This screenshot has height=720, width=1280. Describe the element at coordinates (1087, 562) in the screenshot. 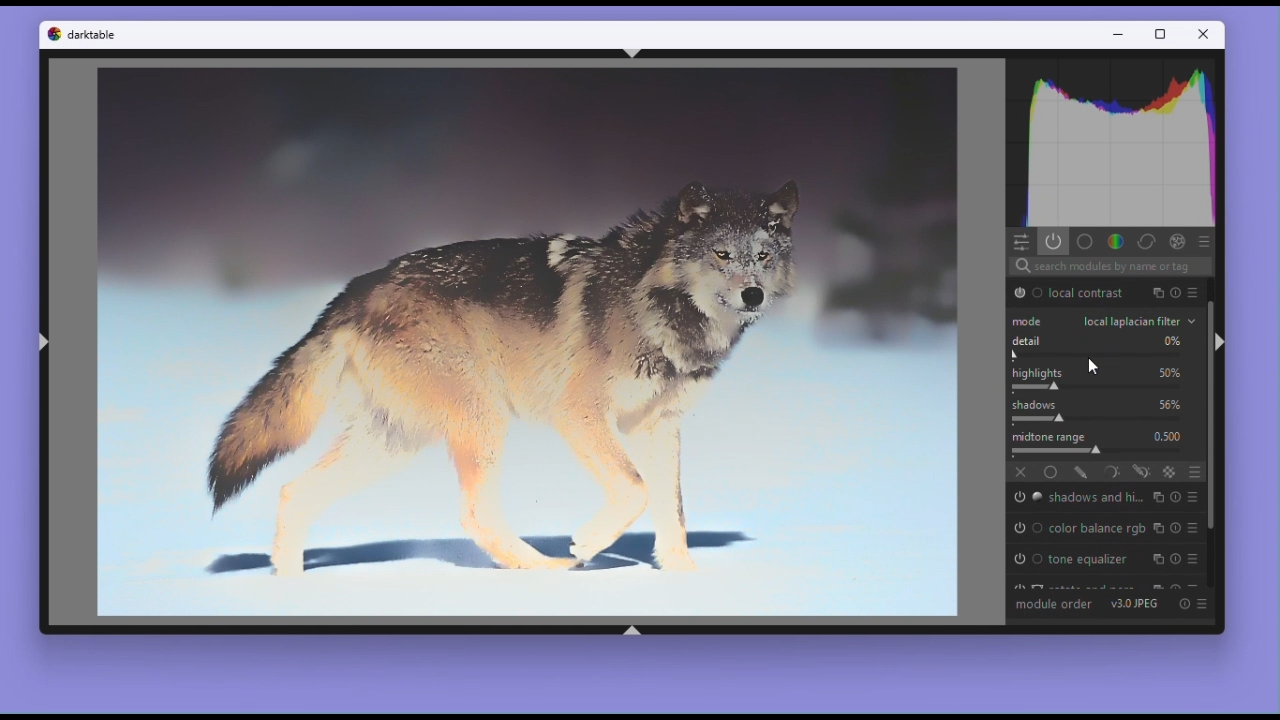

I see `Tone equalizer` at that location.